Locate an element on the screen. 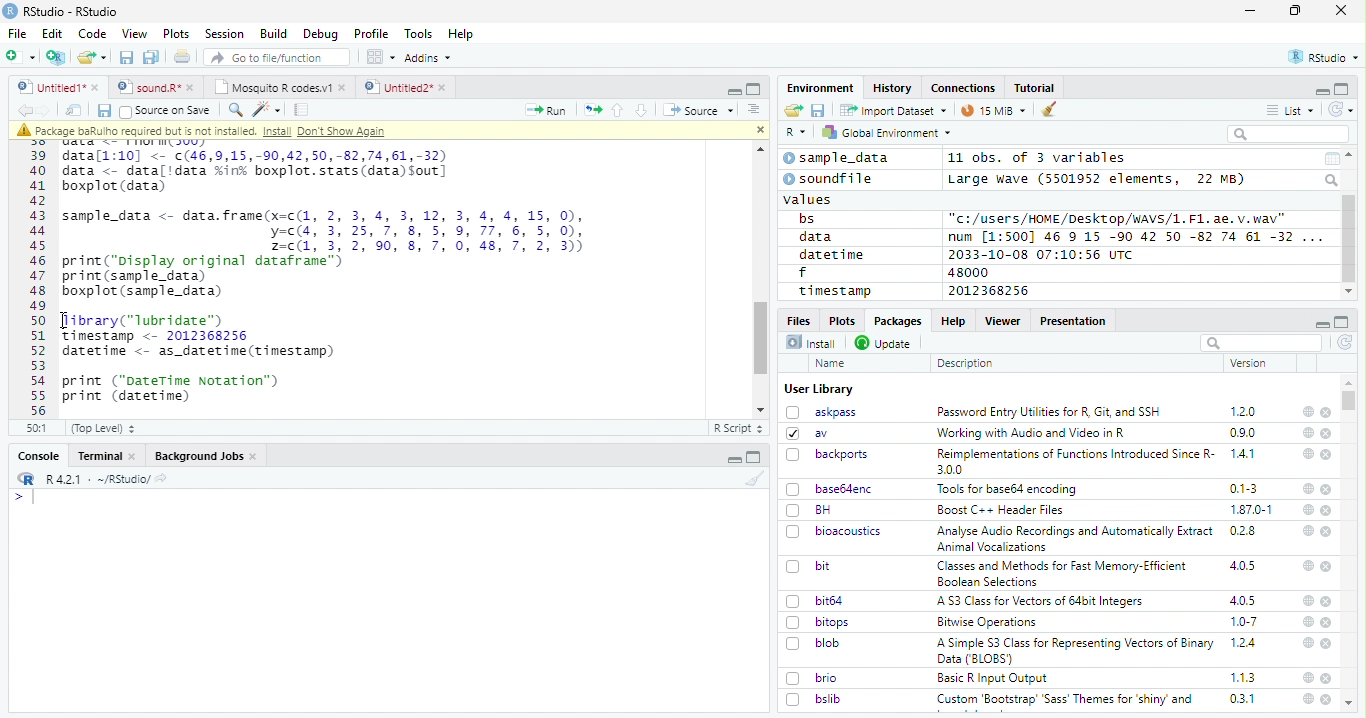  Untitled2* is located at coordinates (409, 88).